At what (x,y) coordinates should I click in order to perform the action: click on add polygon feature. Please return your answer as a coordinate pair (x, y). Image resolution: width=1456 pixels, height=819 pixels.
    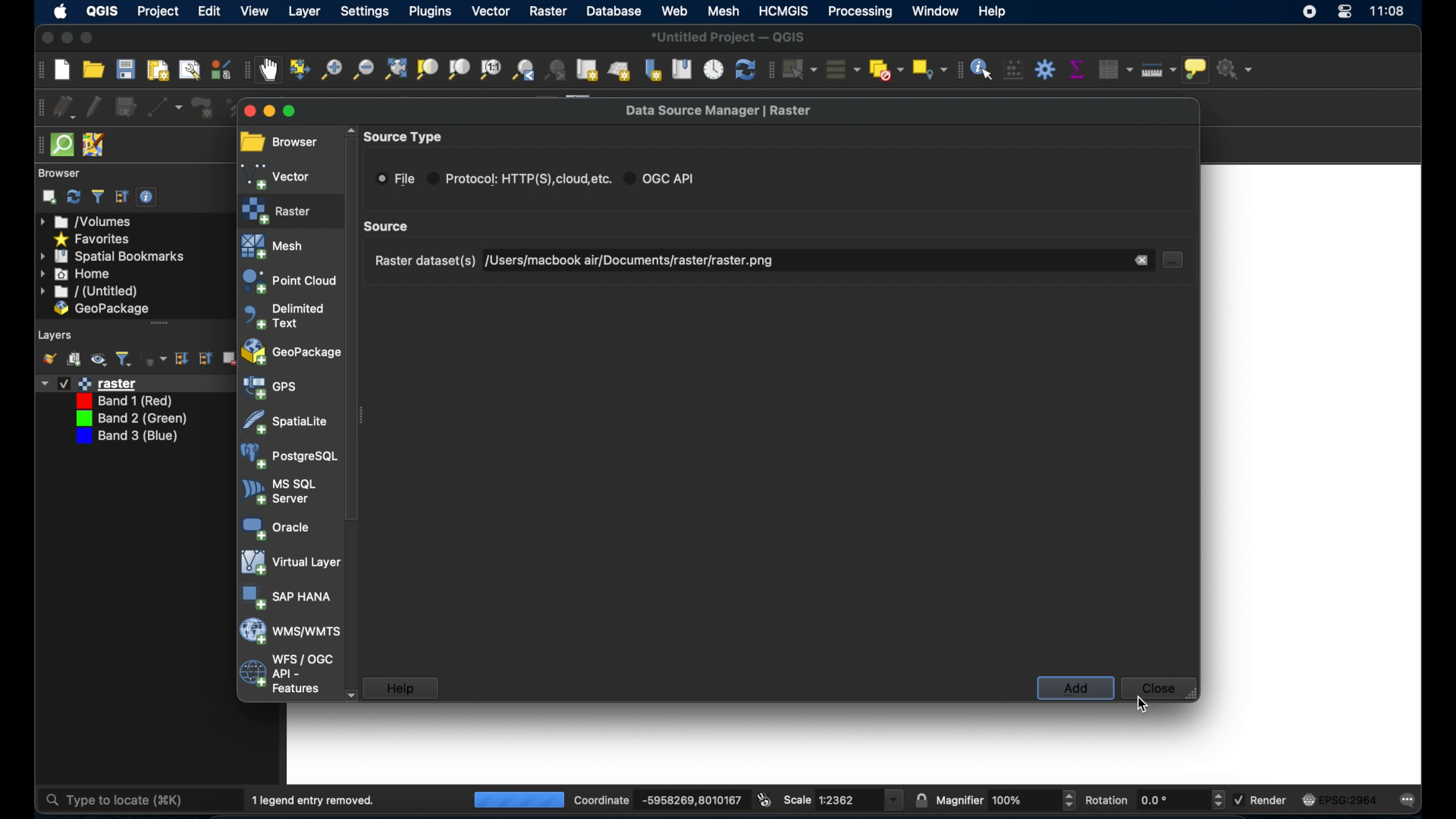
    Looking at the image, I should click on (202, 108).